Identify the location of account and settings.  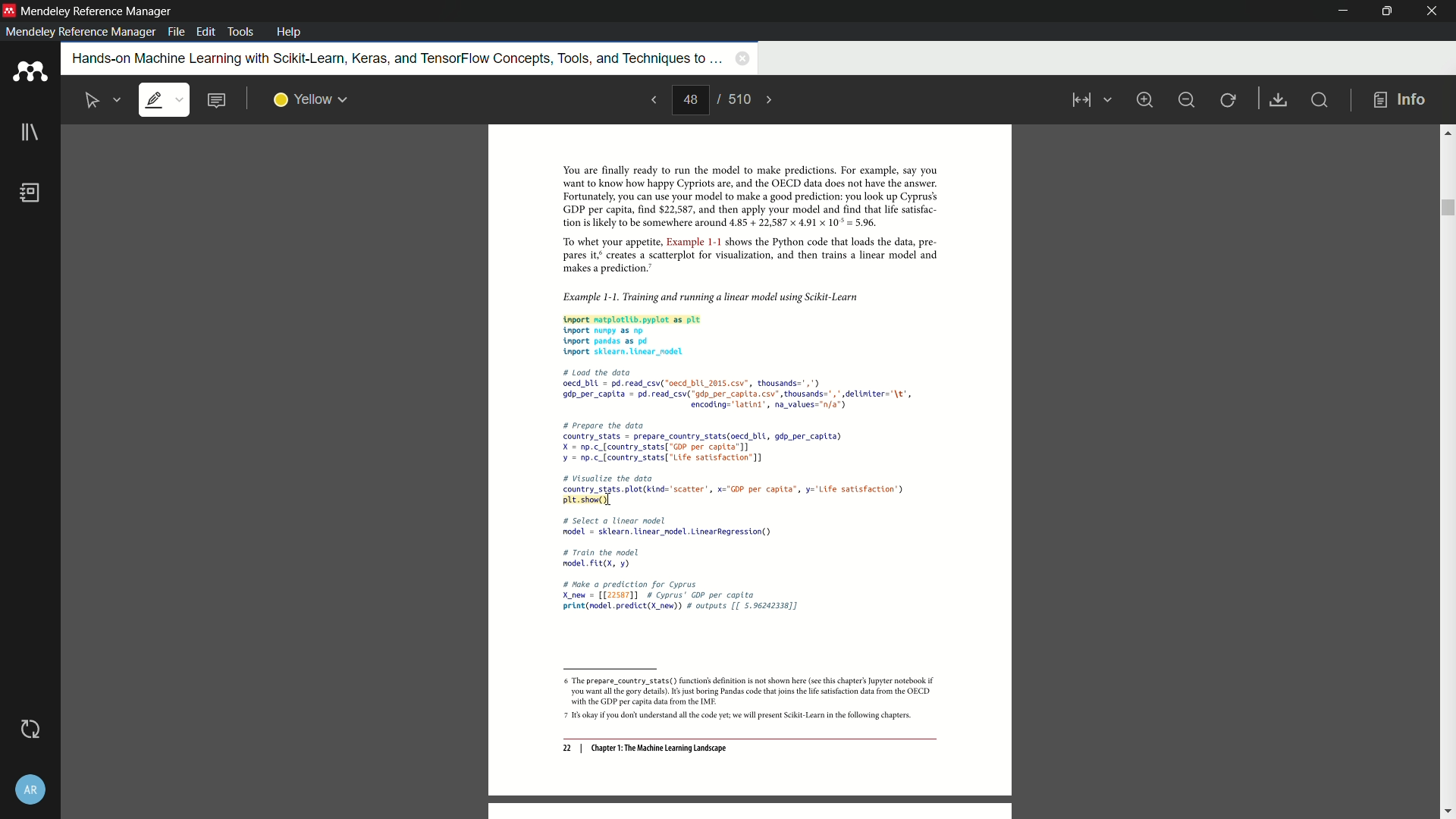
(31, 791).